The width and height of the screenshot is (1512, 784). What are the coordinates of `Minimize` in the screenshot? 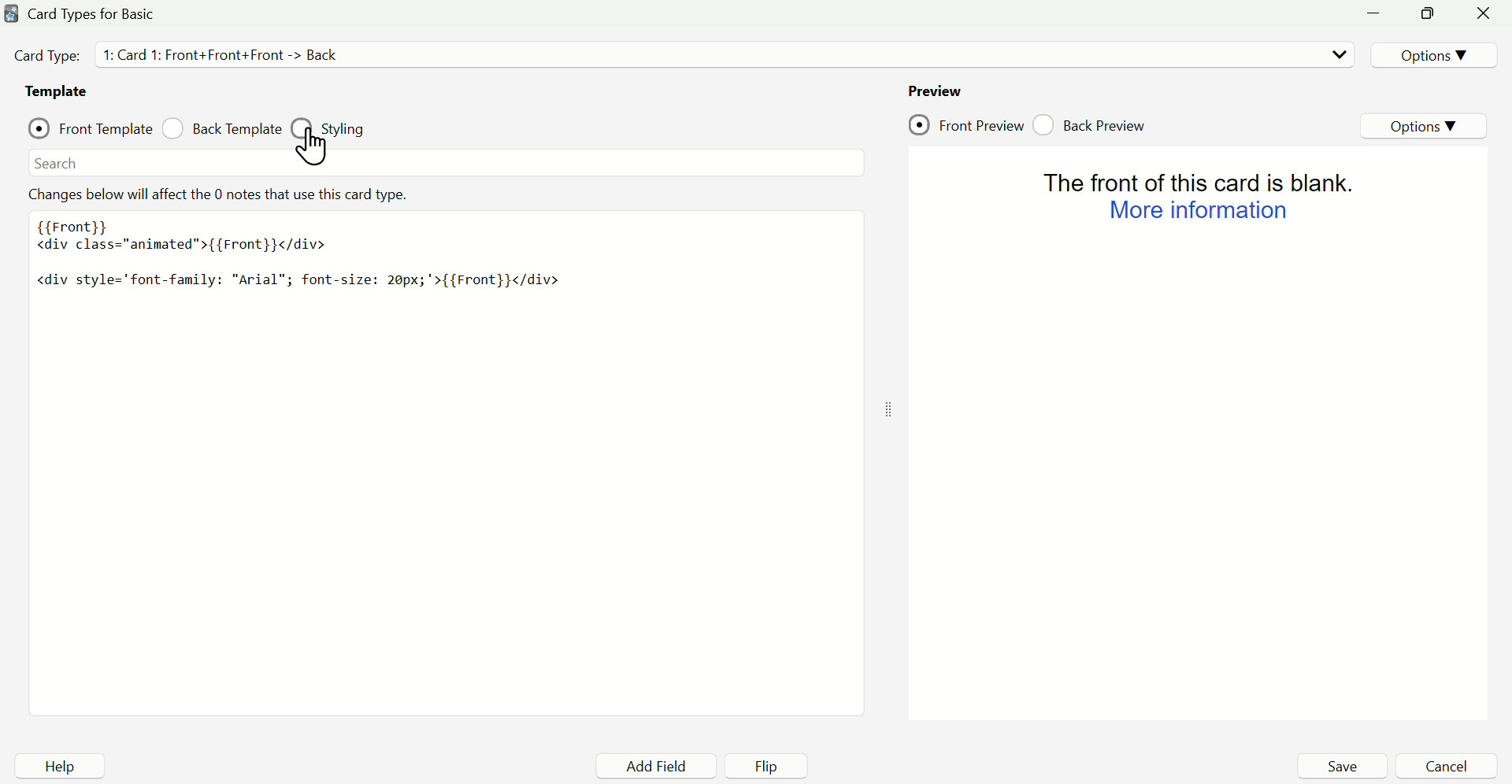 It's located at (1379, 17).